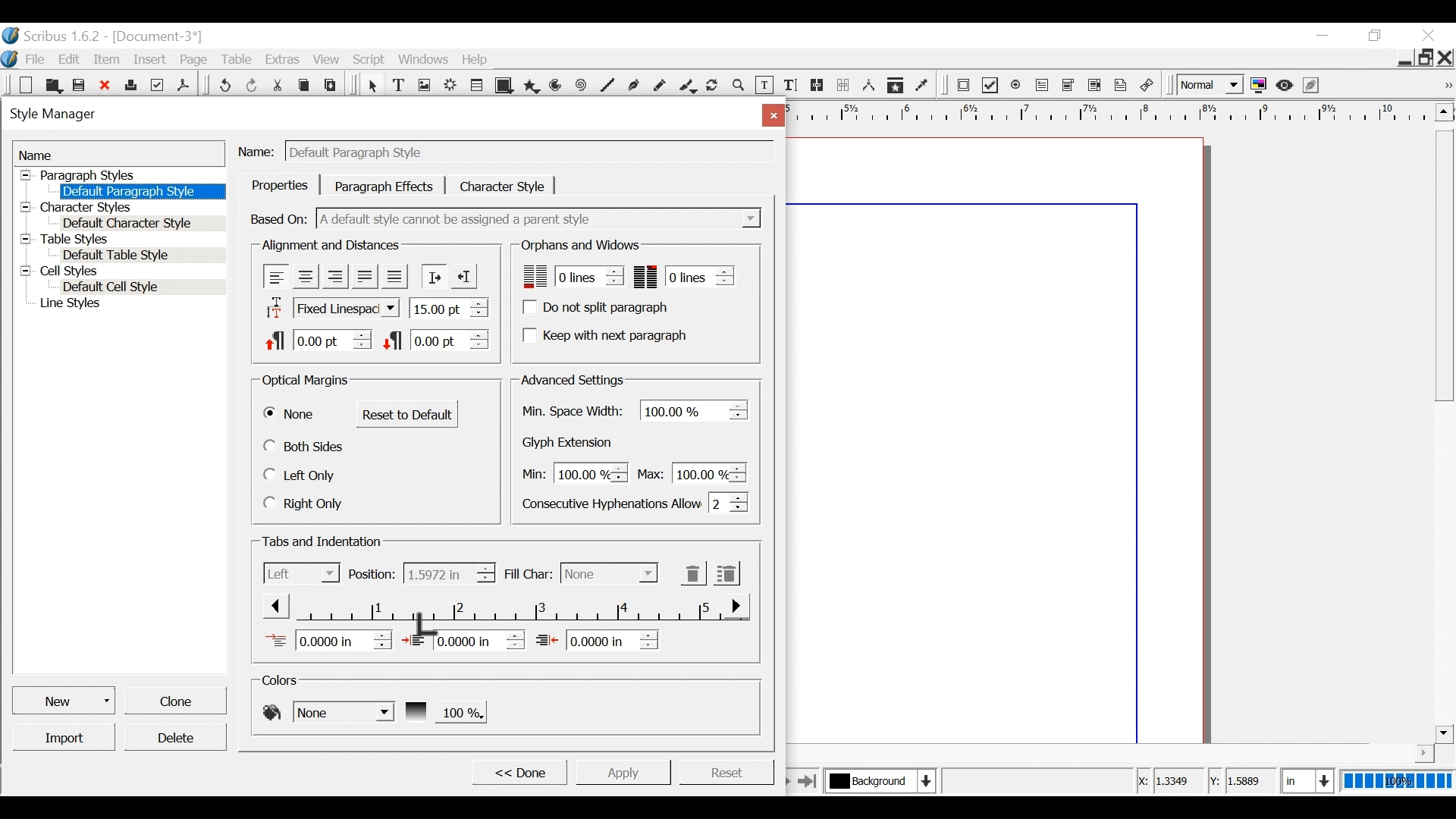  Describe the element at coordinates (463, 275) in the screenshot. I see `Push Indent to the left` at that location.